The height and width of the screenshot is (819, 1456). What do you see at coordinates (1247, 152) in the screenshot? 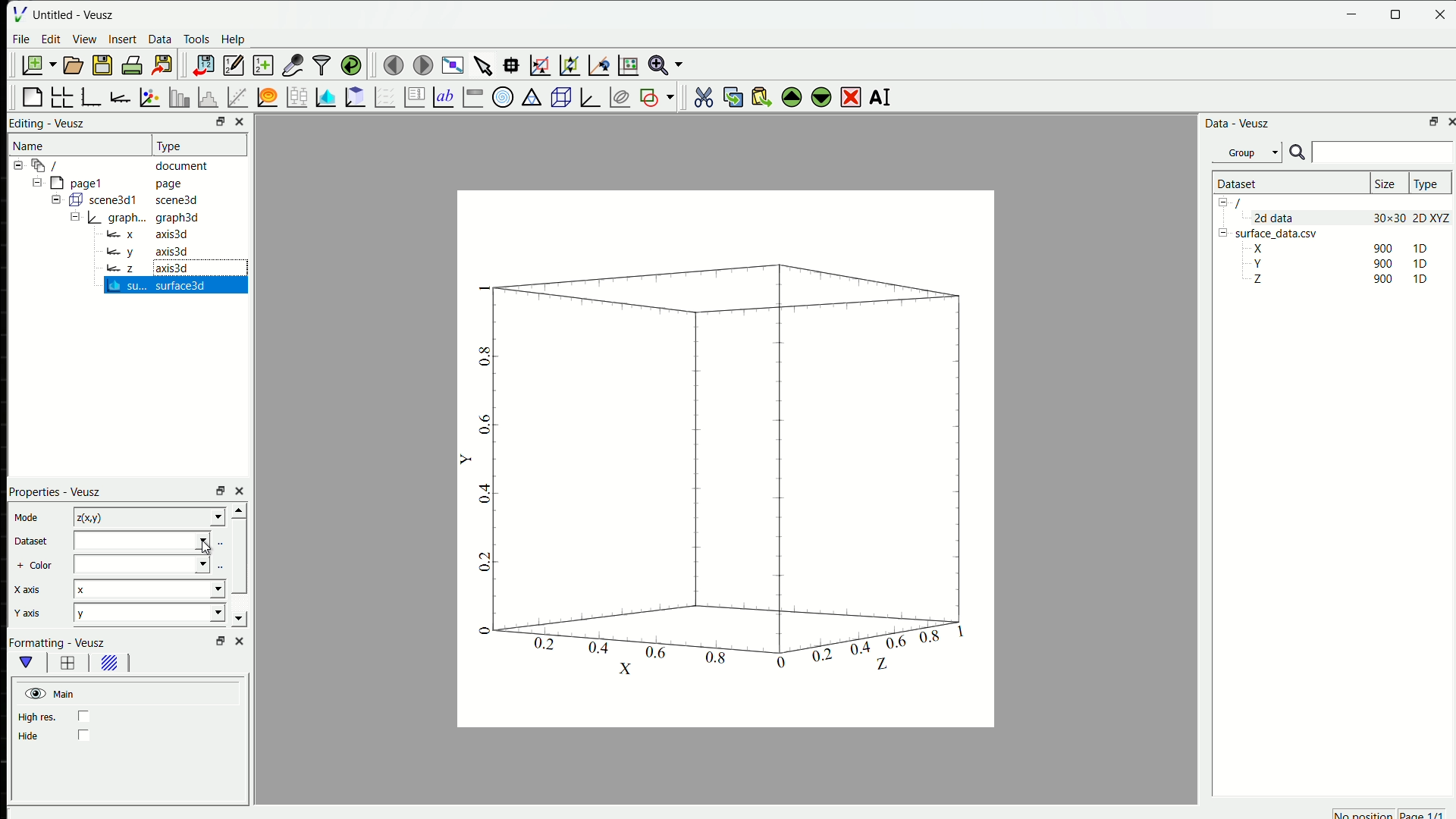
I see `Group` at bounding box center [1247, 152].